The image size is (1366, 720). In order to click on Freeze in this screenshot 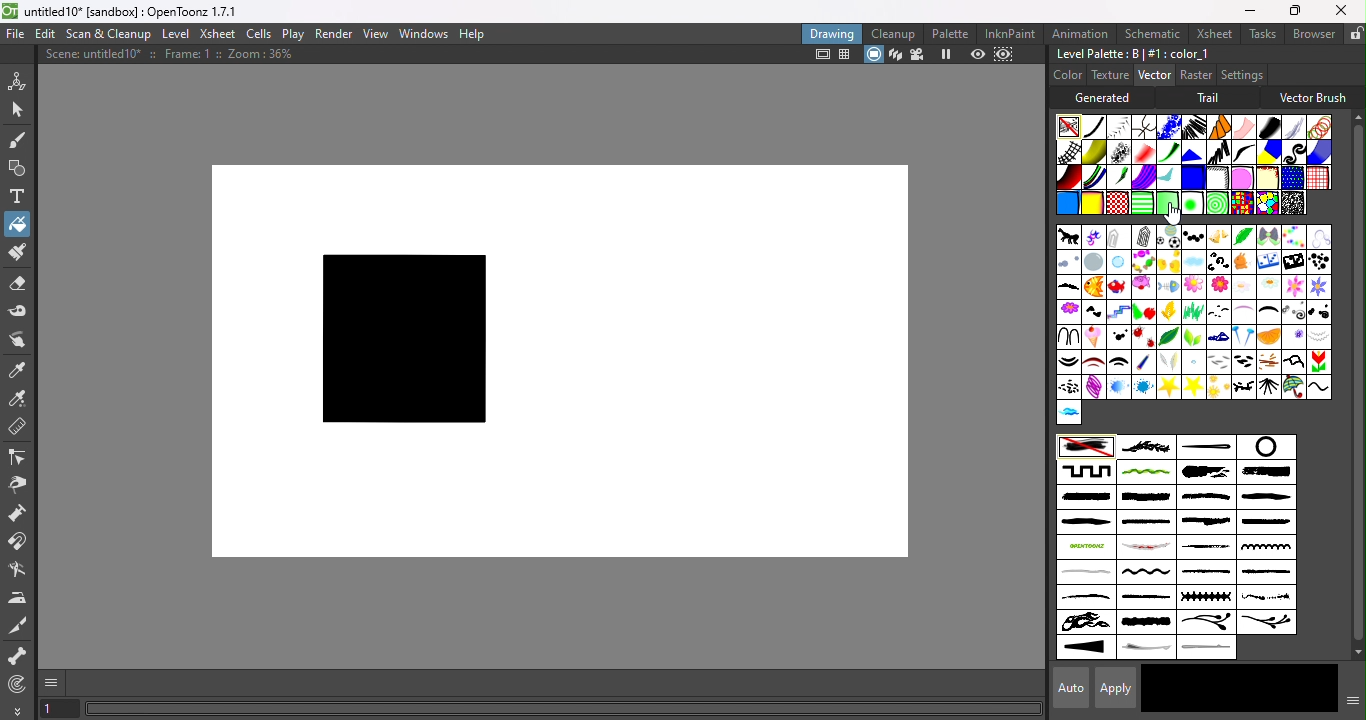, I will do `click(947, 56)`.